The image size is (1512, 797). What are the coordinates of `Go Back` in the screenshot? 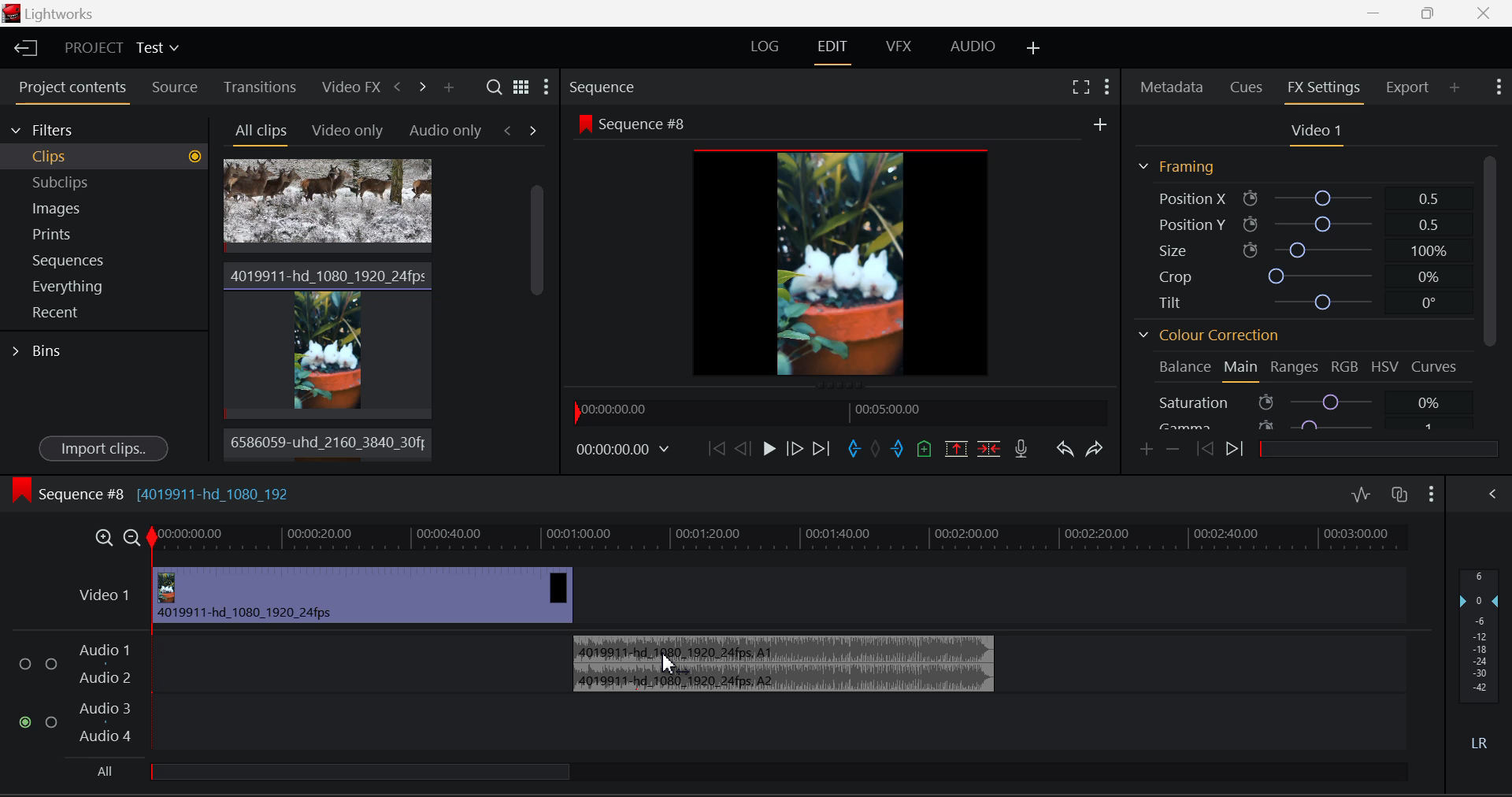 It's located at (742, 447).